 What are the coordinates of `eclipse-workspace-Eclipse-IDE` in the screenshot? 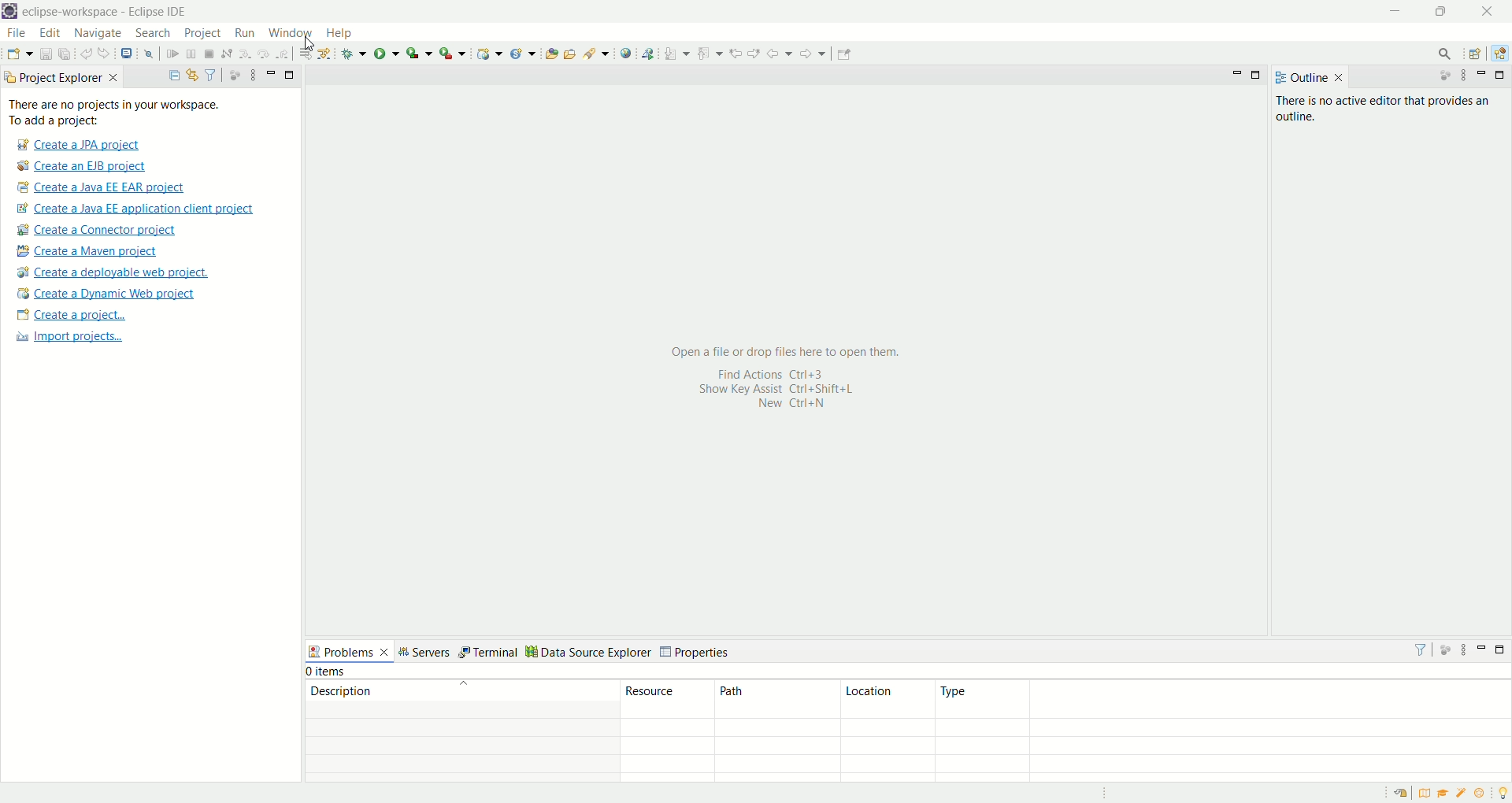 It's located at (112, 16).